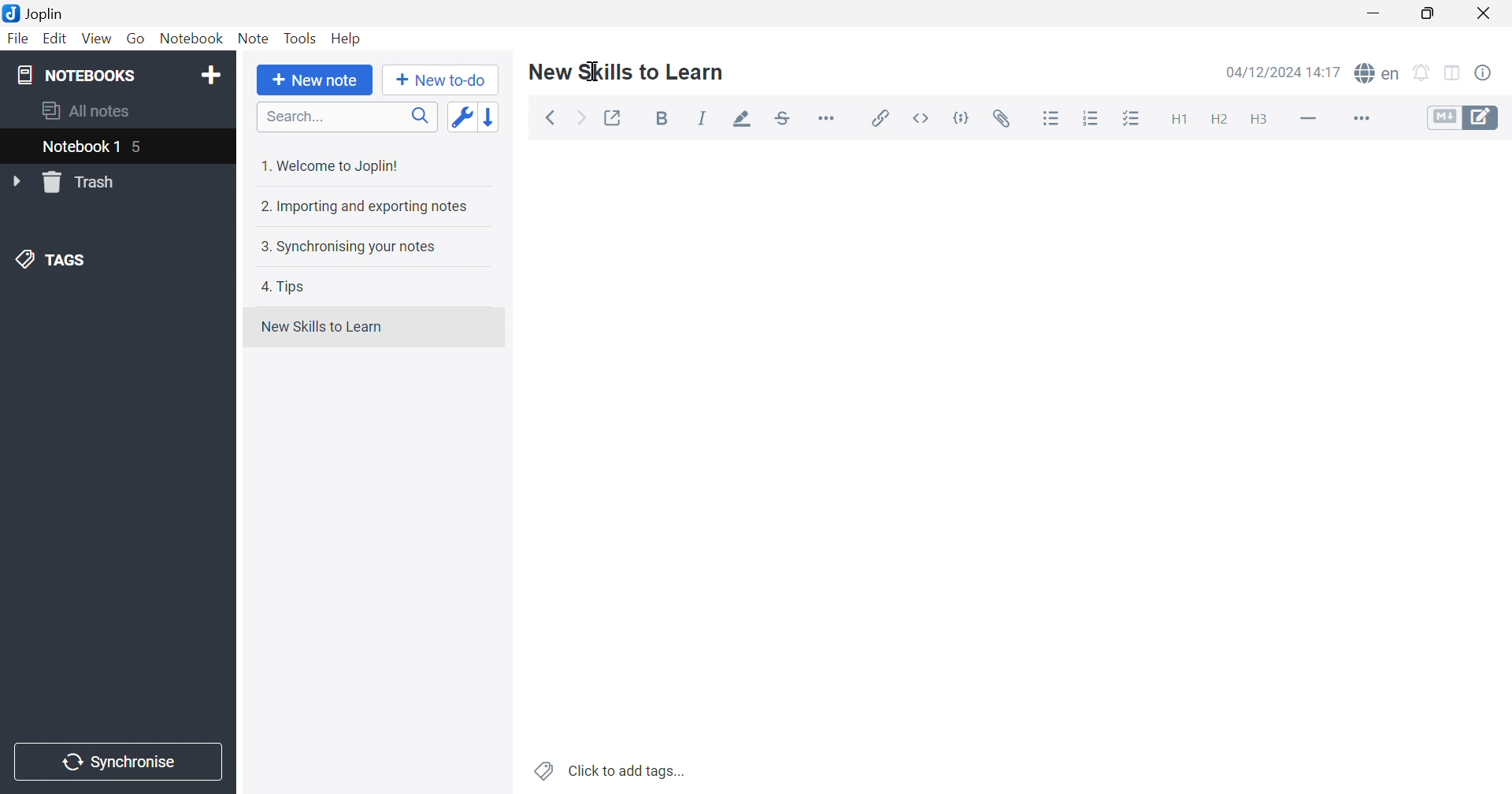 The height and width of the screenshot is (794, 1512). Describe the element at coordinates (254, 39) in the screenshot. I see `Note` at that location.